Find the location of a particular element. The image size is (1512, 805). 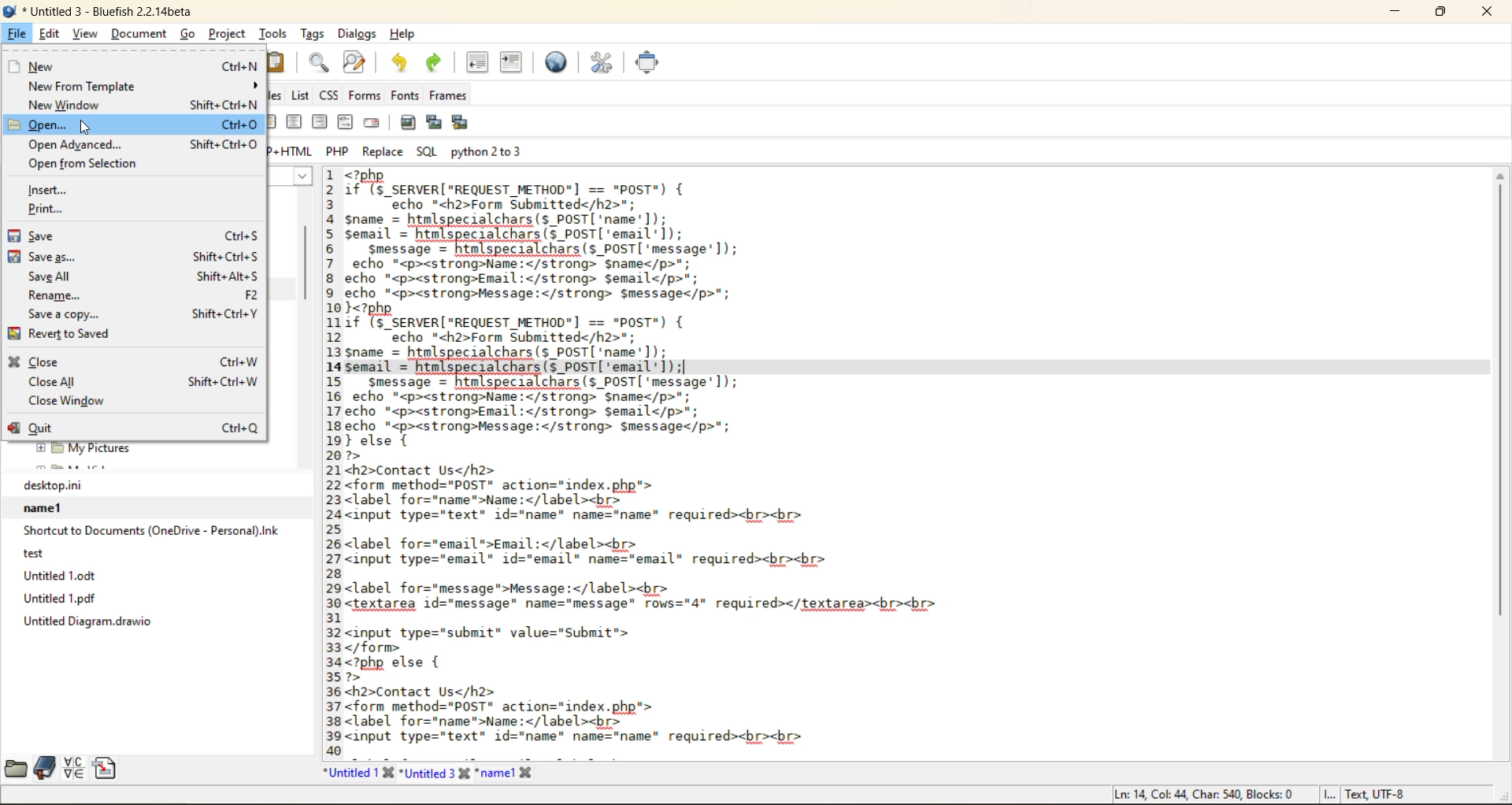

untitle diagram.drawio is located at coordinates (156, 621).